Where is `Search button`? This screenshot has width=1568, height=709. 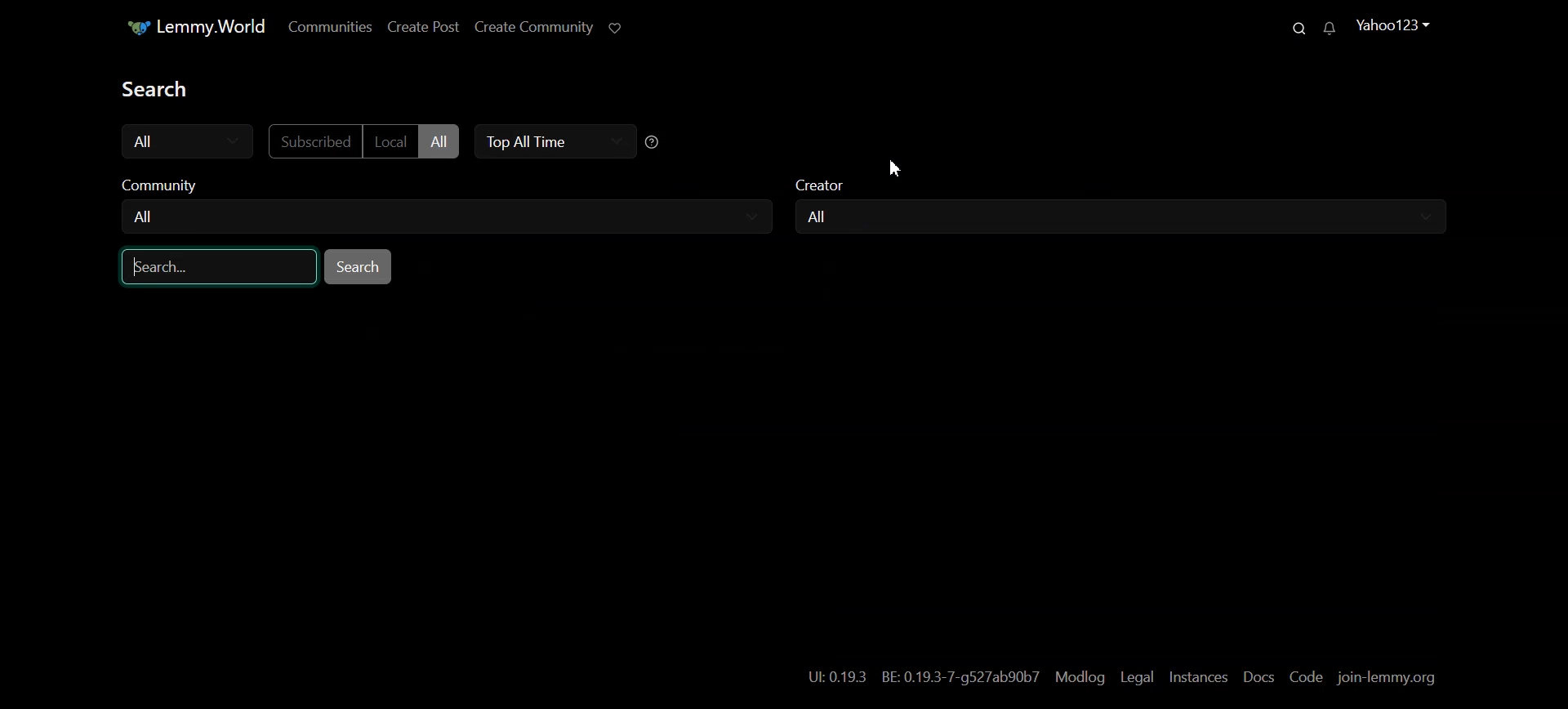
Search button is located at coordinates (358, 266).